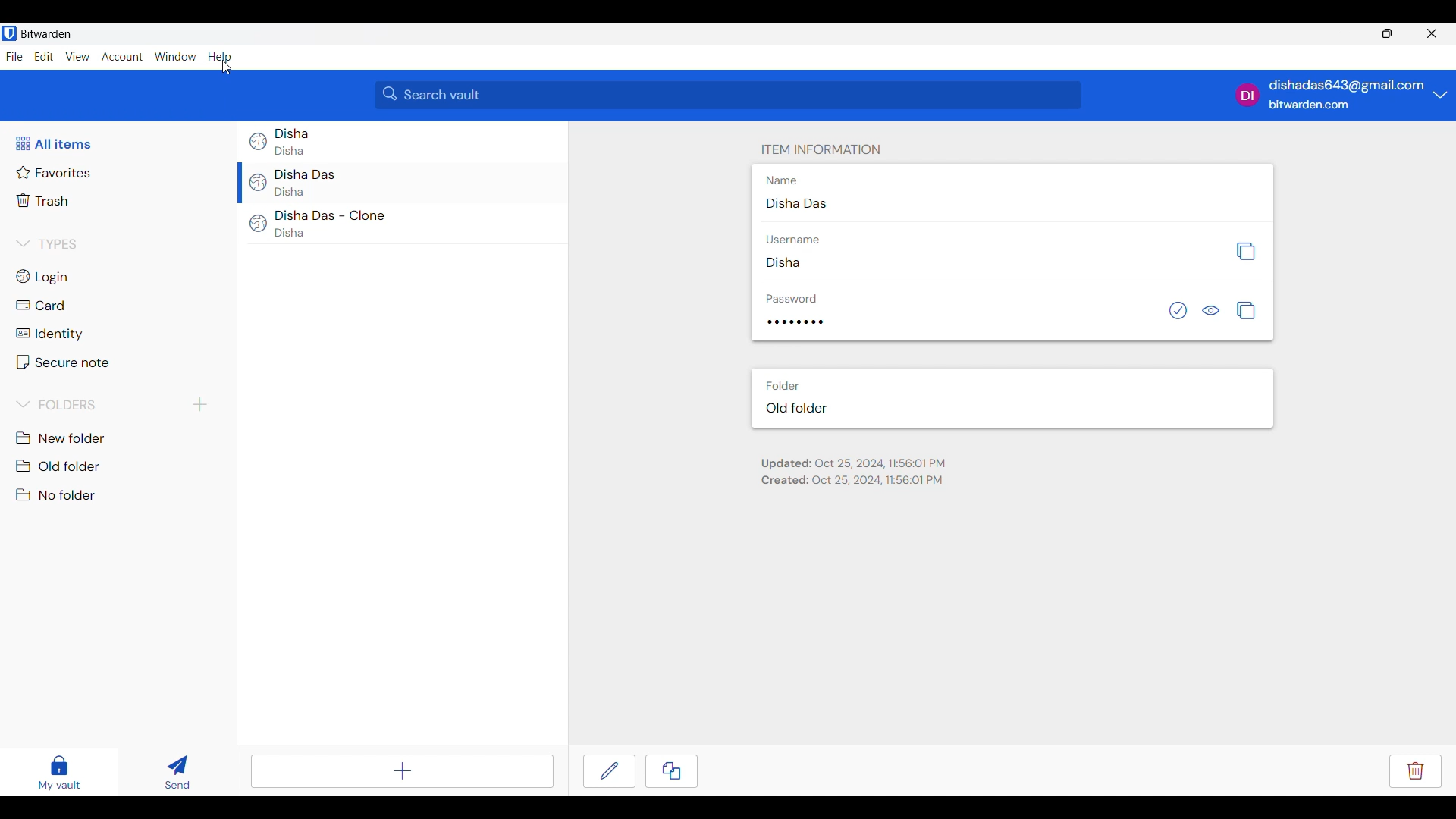 This screenshot has width=1456, height=819. I want to click on File menu, so click(14, 57).